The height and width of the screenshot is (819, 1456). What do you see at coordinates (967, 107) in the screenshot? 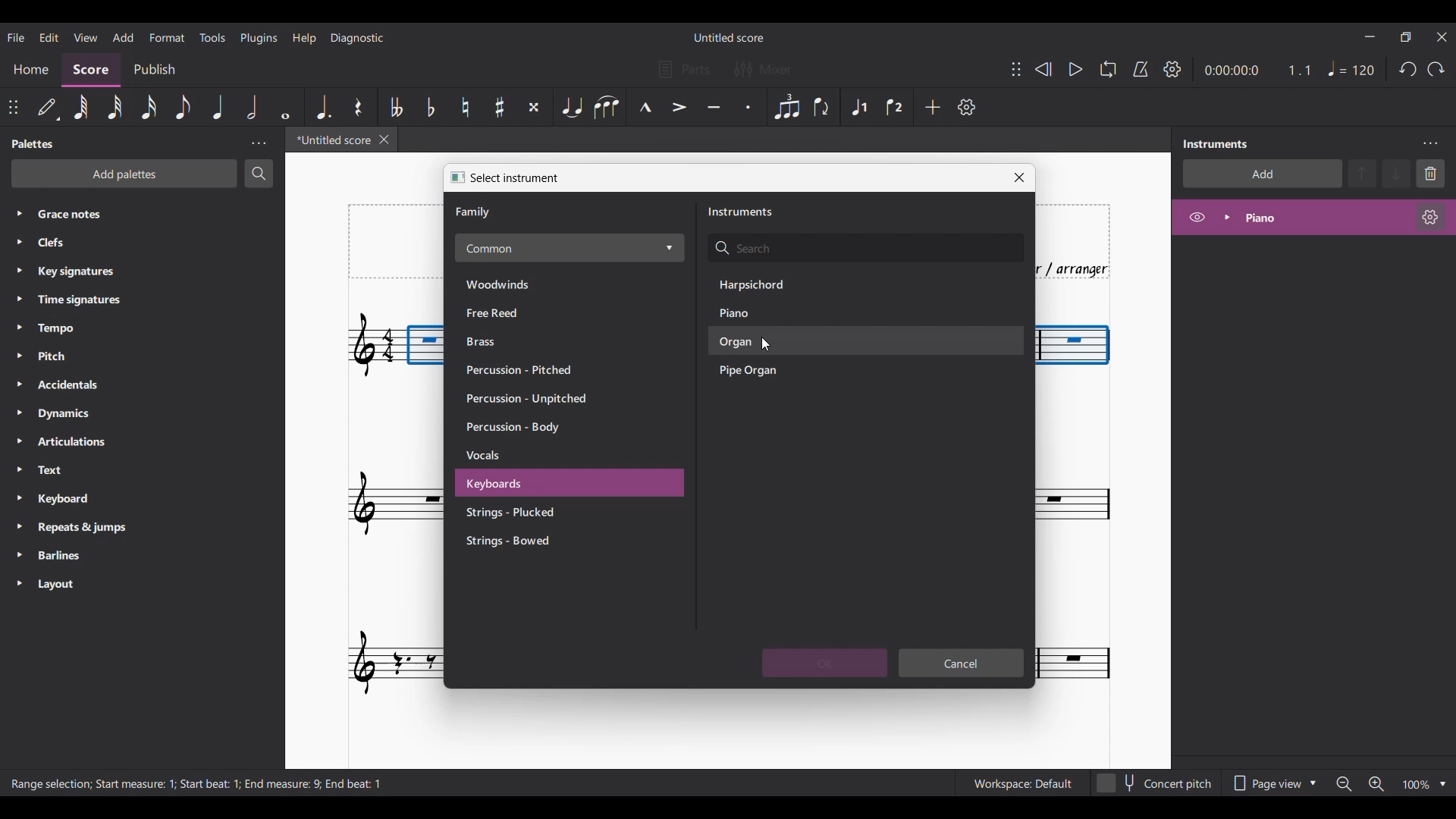
I see `Customize toolbar` at bounding box center [967, 107].